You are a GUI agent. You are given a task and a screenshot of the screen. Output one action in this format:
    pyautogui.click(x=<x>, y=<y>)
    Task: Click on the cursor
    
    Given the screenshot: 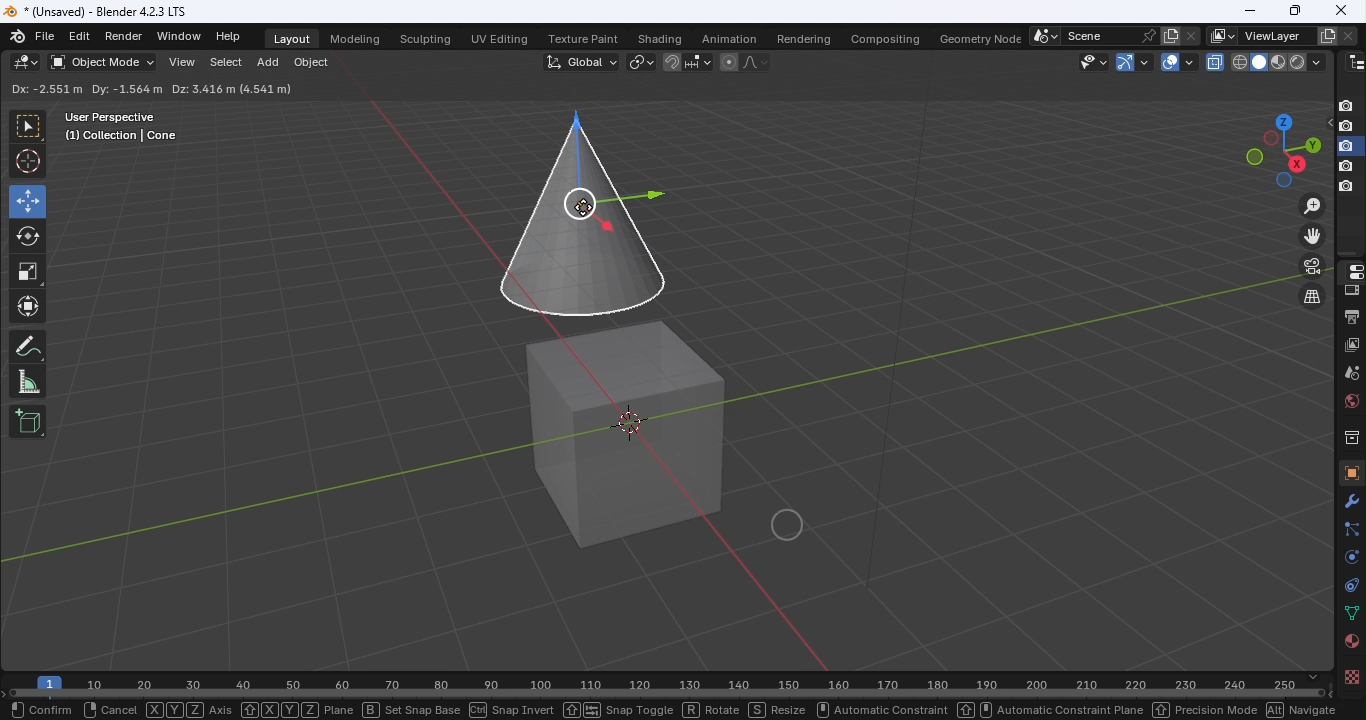 What is the action you would take?
    pyautogui.click(x=587, y=208)
    